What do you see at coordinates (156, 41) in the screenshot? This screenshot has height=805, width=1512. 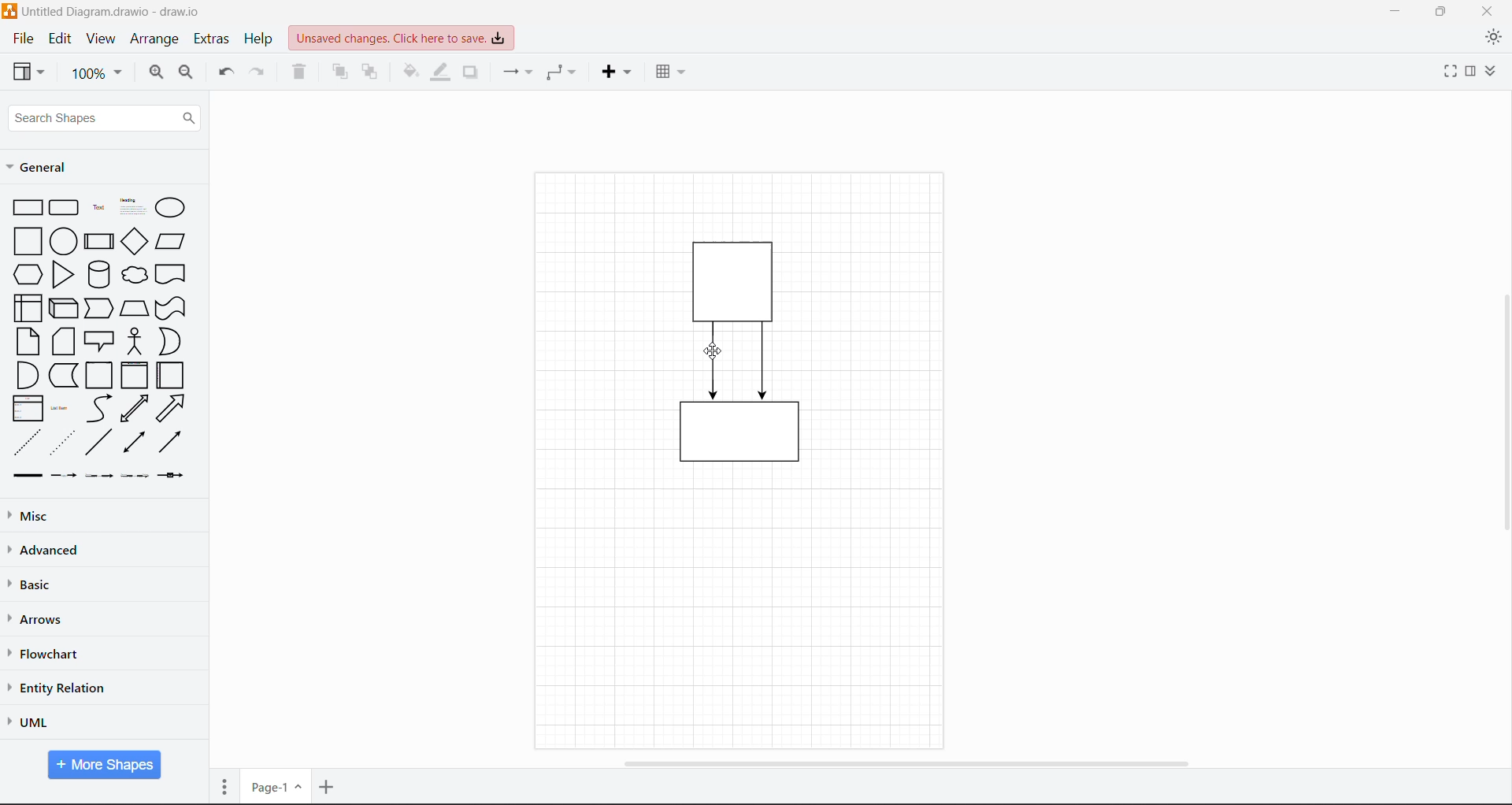 I see `Arrange` at bounding box center [156, 41].